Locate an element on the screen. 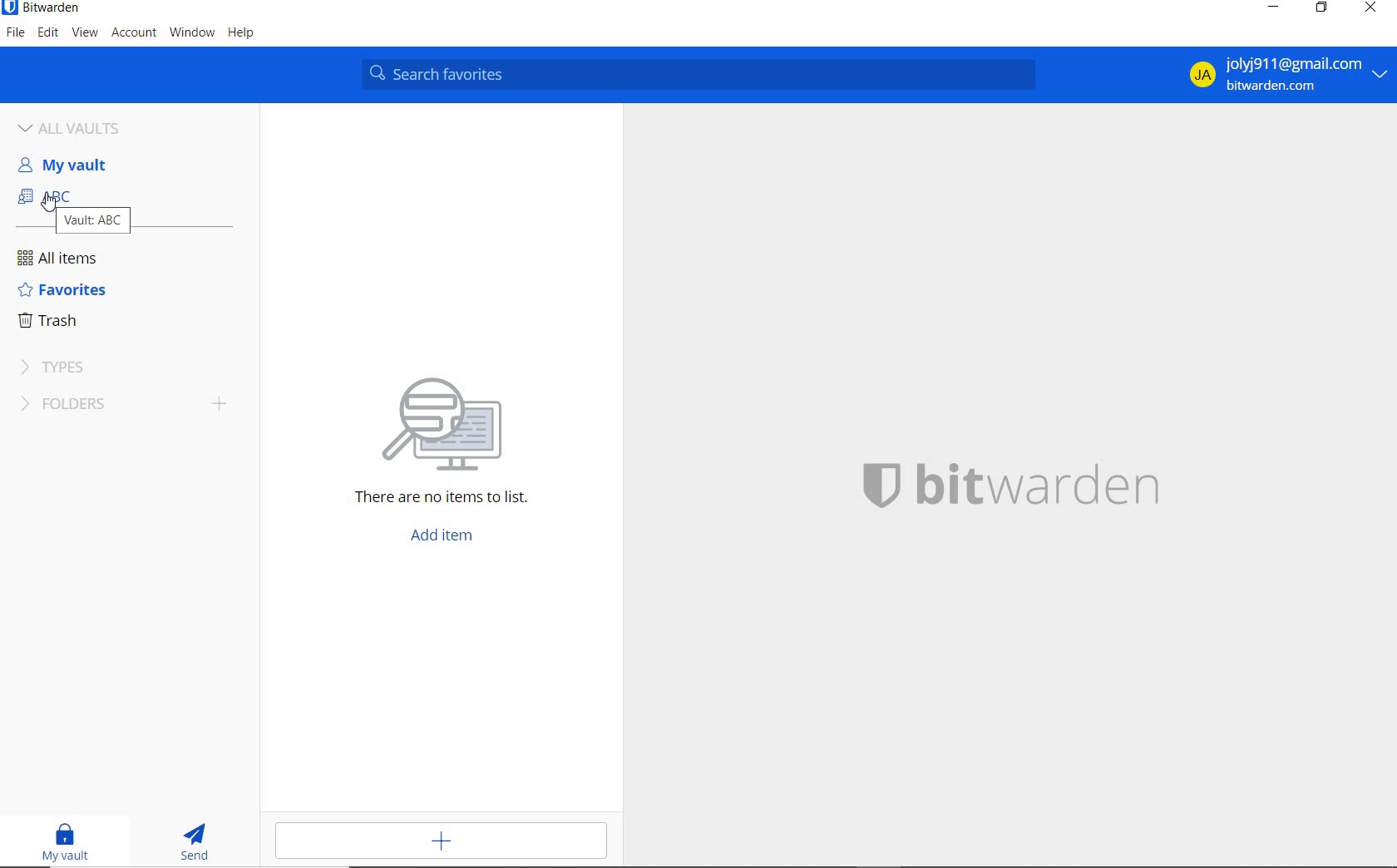 This screenshot has height=868, width=1397. My vault is located at coordinates (74, 164).